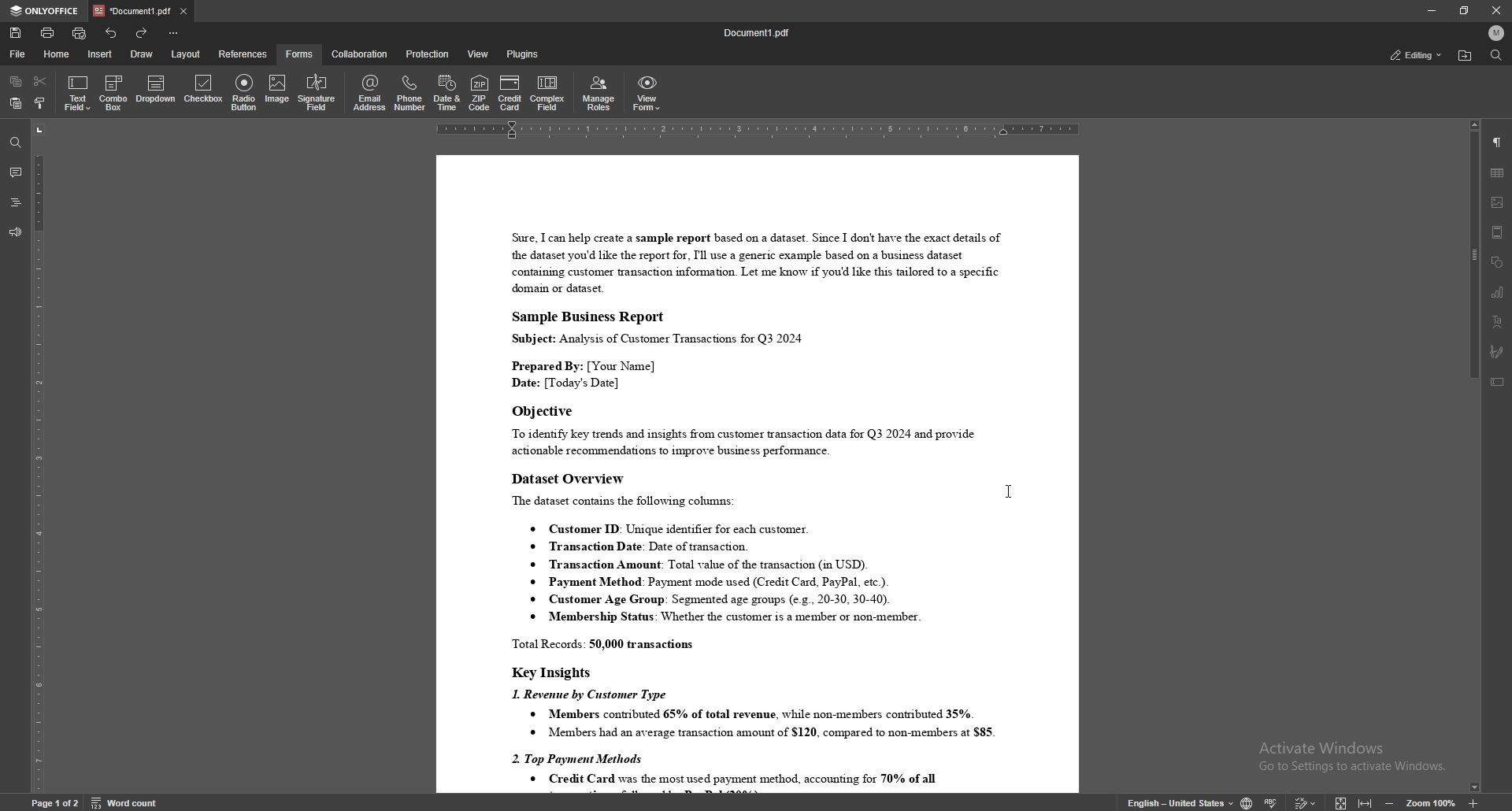 This screenshot has height=811, width=1512. Describe the element at coordinates (1498, 232) in the screenshot. I see `header and footer` at that location.